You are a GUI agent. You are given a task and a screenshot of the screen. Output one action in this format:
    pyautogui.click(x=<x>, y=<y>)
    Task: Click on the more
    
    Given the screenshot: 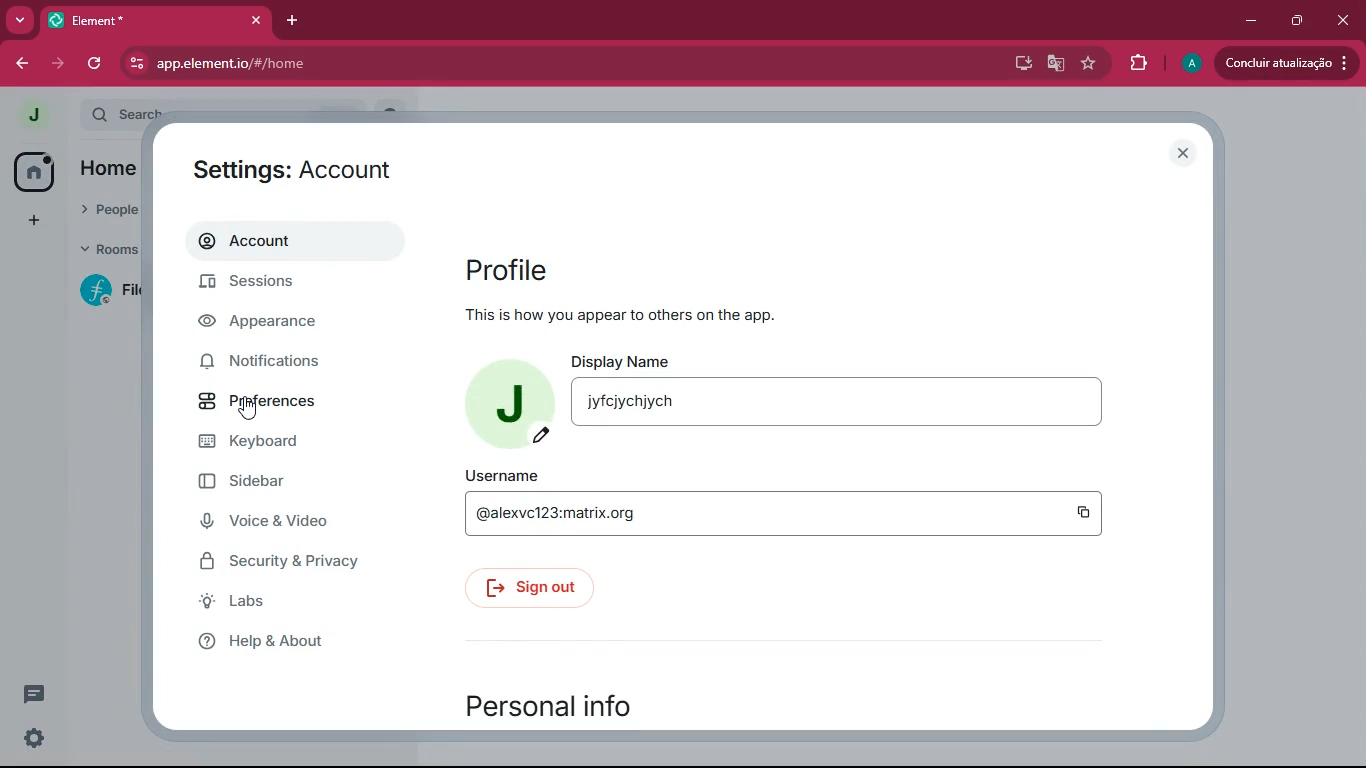 What is the action you would take?
    pyautogui.click(x=21, y=21)
    